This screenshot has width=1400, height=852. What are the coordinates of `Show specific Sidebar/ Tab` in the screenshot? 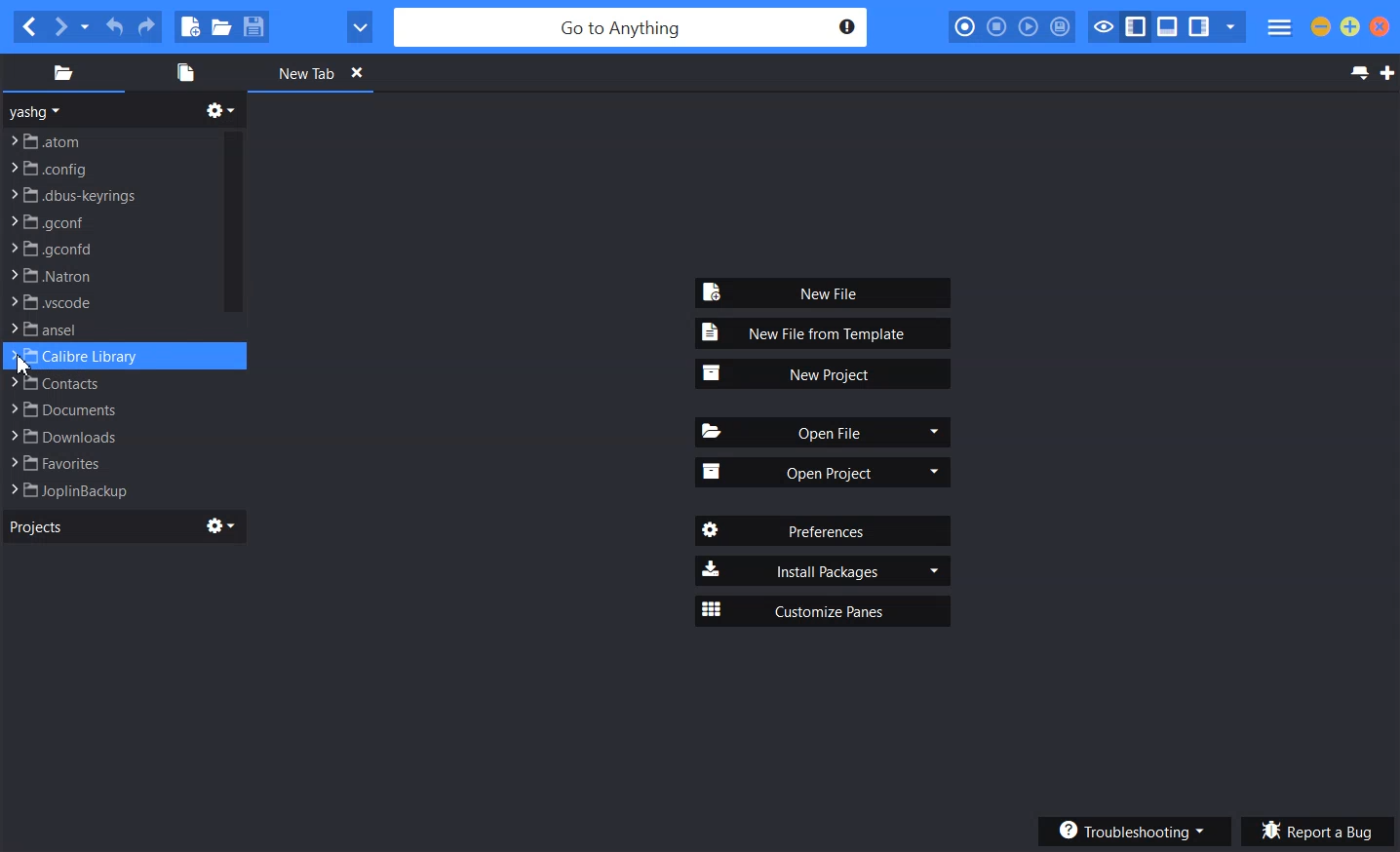 It's located at (1230, 27).